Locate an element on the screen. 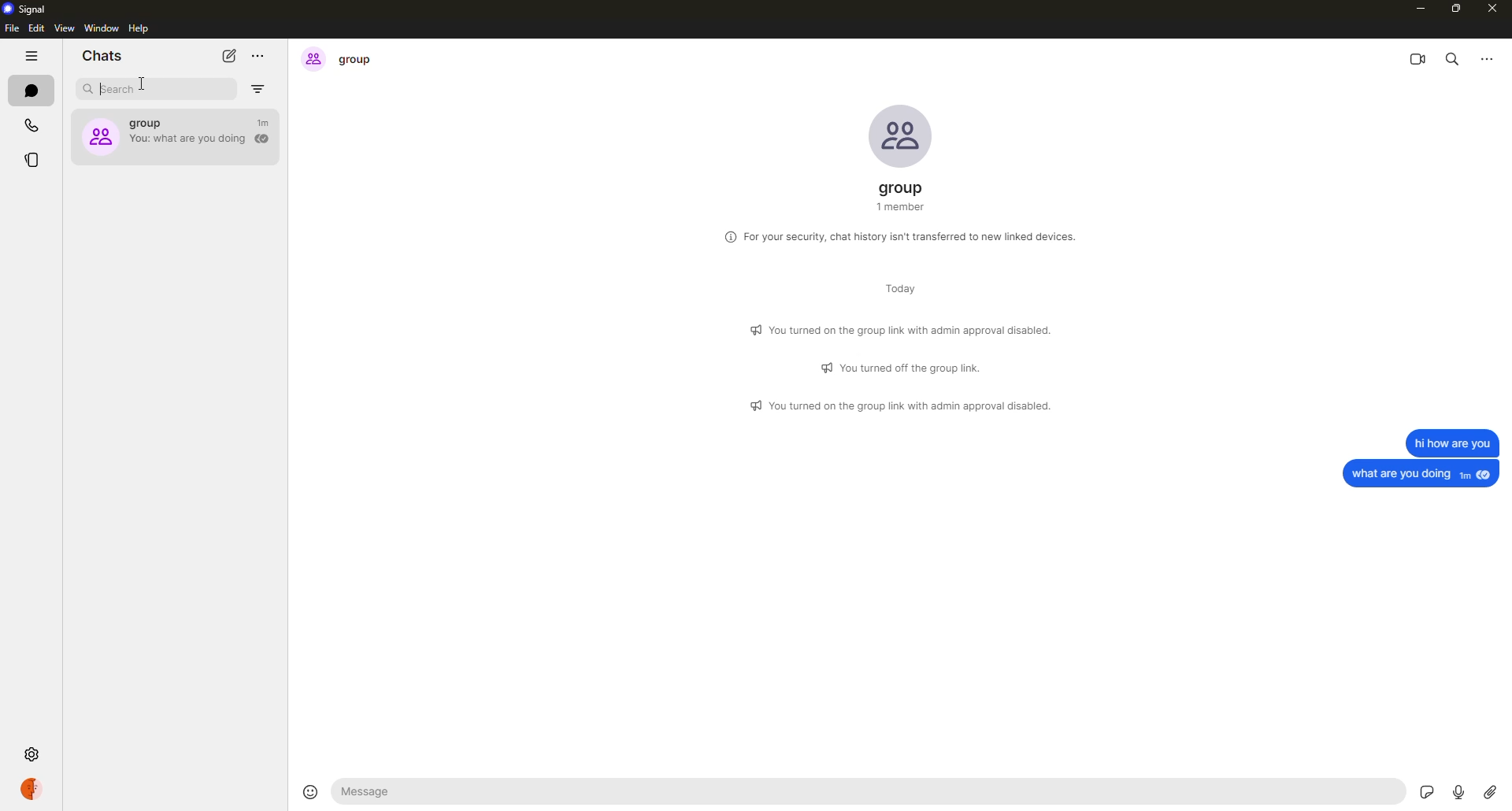 Image resolution: width=1512 pixels, height=811 pixels. emoji is located at coordinates (308, 790).